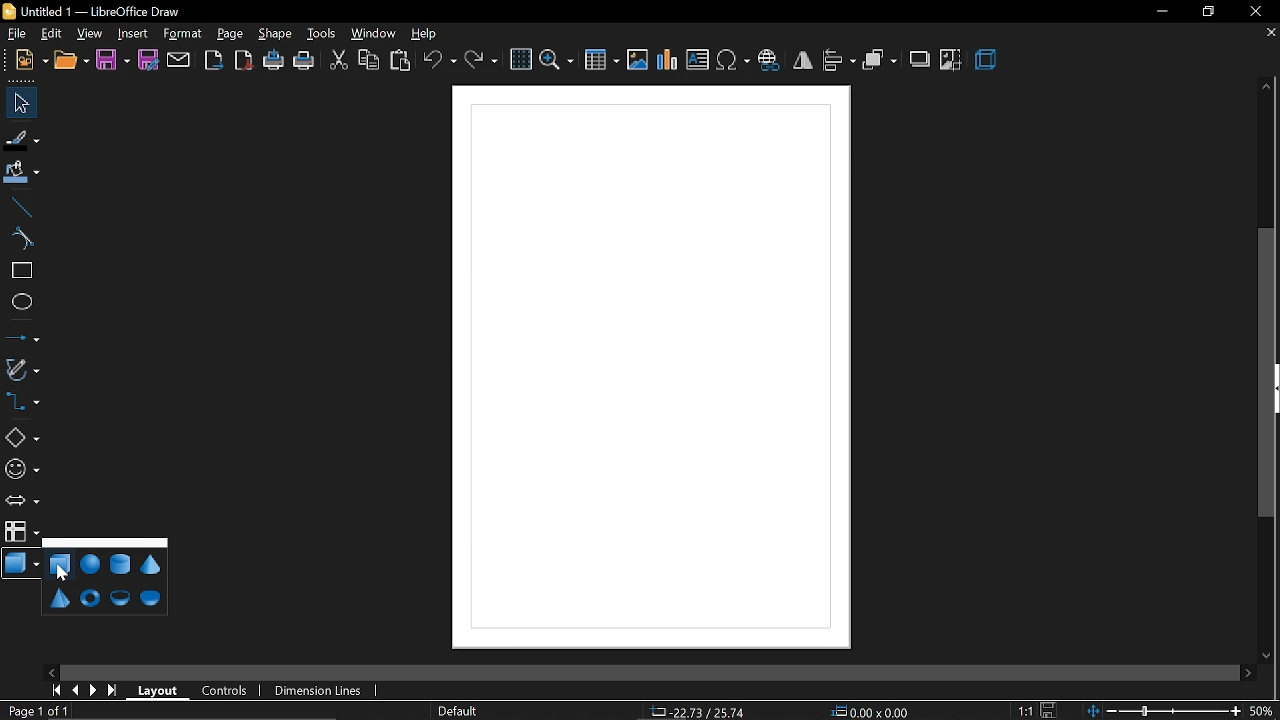 This screenshot has width=1280, height=720. What do you see at coordinates (304, 63) in the screenshot?
I see `print` at bounding box center [304, 63].